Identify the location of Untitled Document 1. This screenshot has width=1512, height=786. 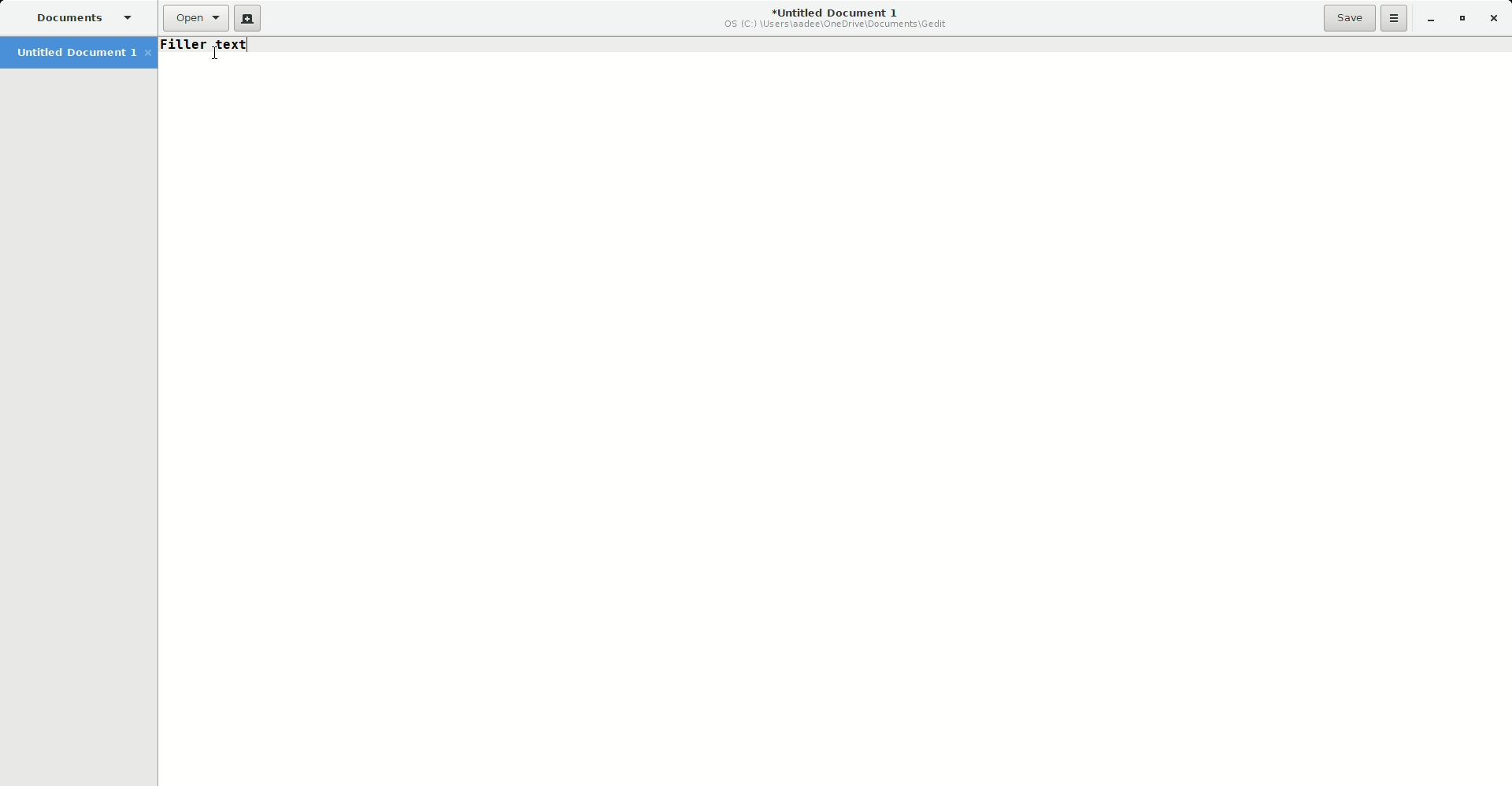
(80, 54).